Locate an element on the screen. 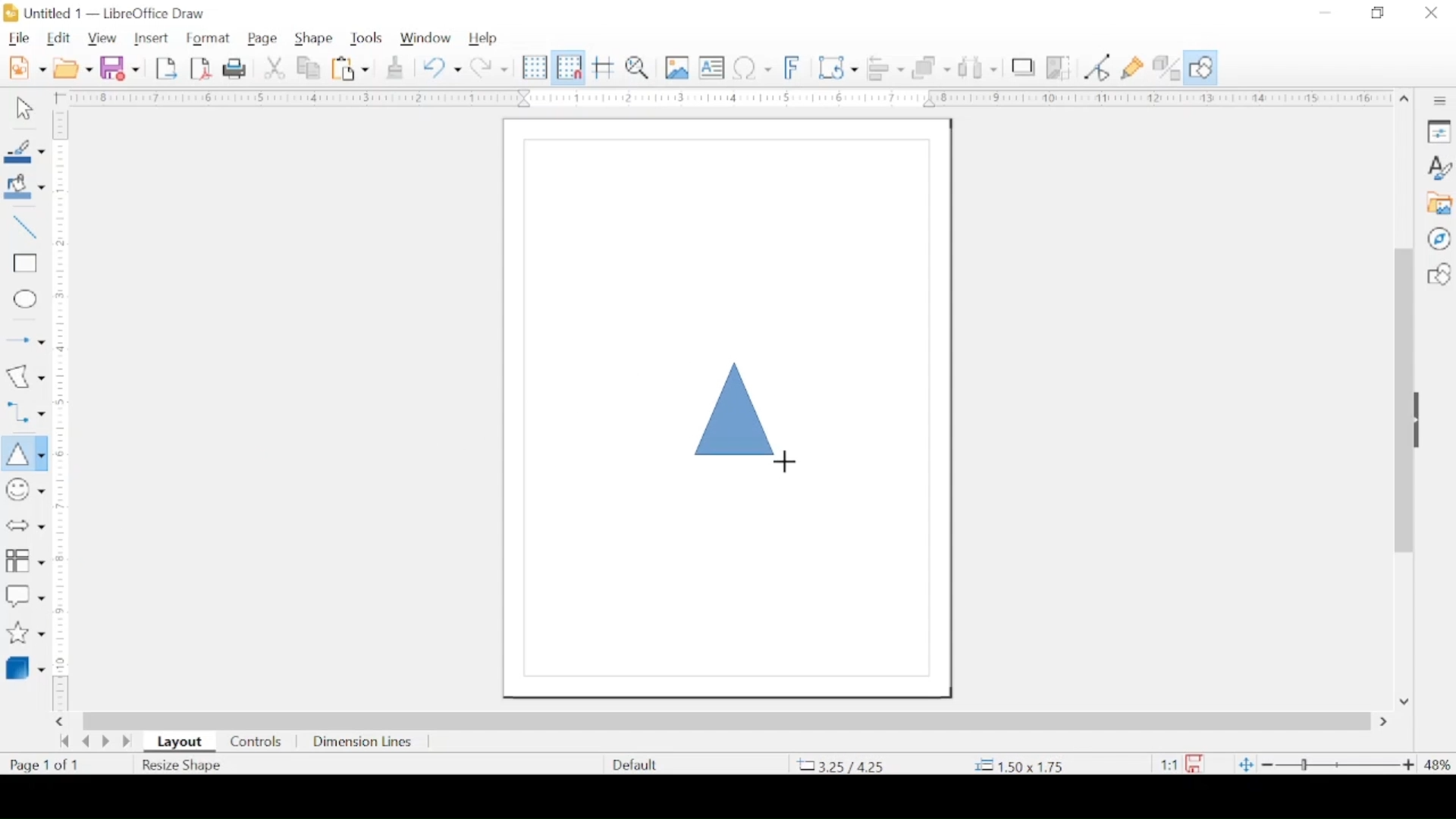 The height and width of the screenshot is (819, 1456). insert curves and polygons is located at coordinates (25, 376).